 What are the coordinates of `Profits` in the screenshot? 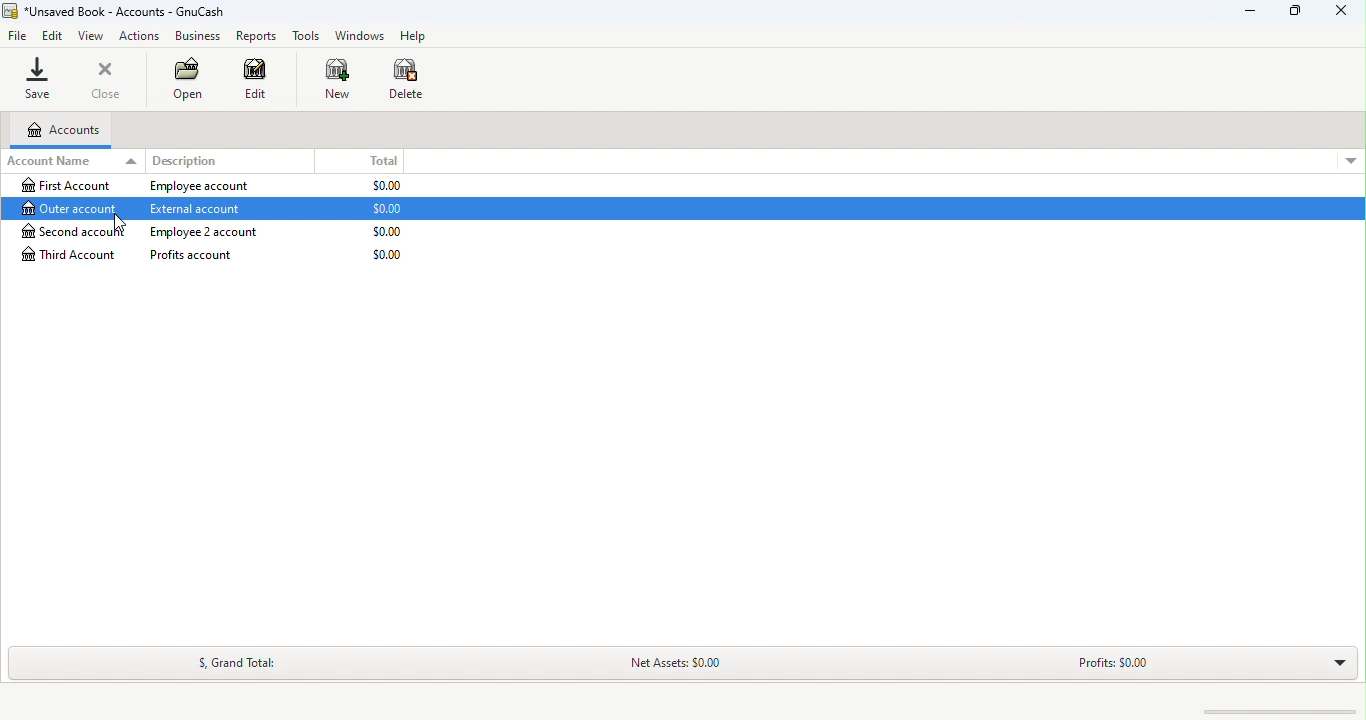 It's located at (1107, 668).